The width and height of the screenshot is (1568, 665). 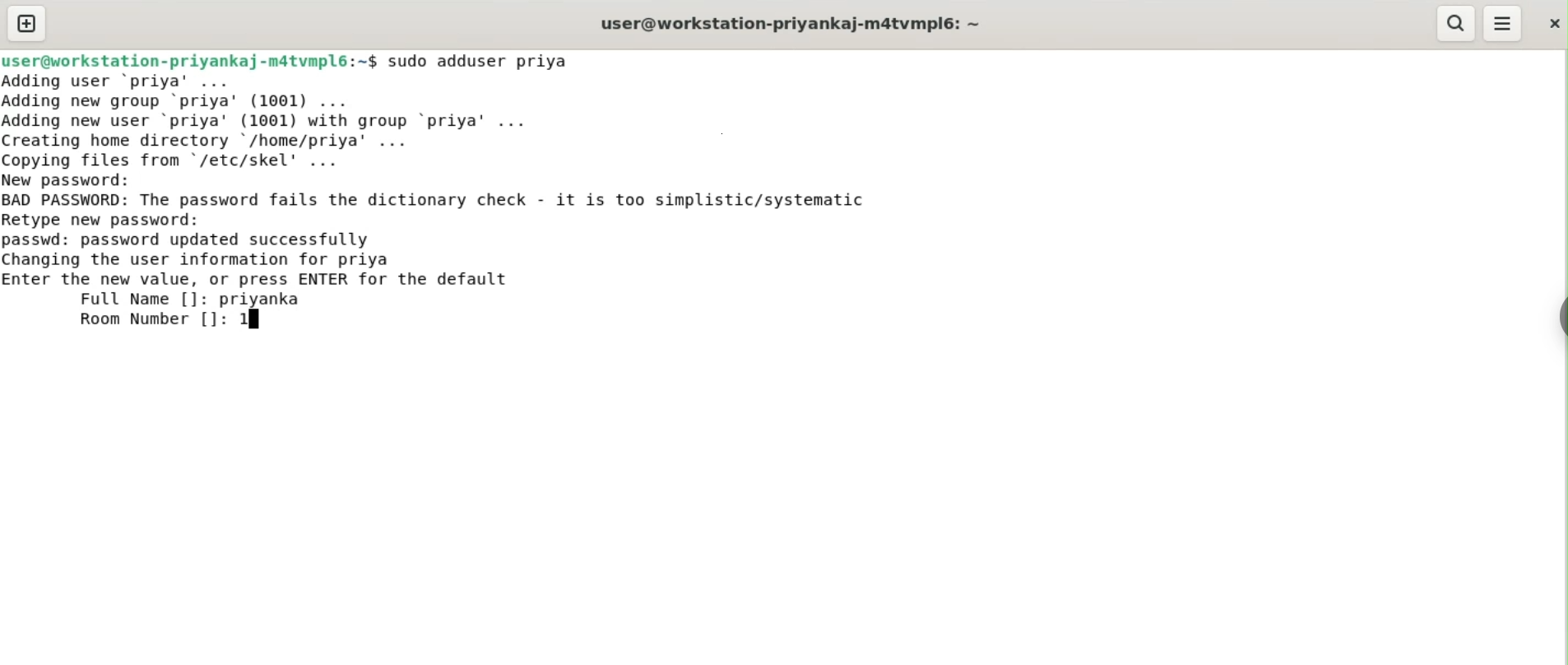 What do you see at coordinates (464, 201) in the screenshot?
I see `BAD PASSWORD: The password fails the dictionary check. it is too simplistic/systematic` at bounding box center [464, 201].